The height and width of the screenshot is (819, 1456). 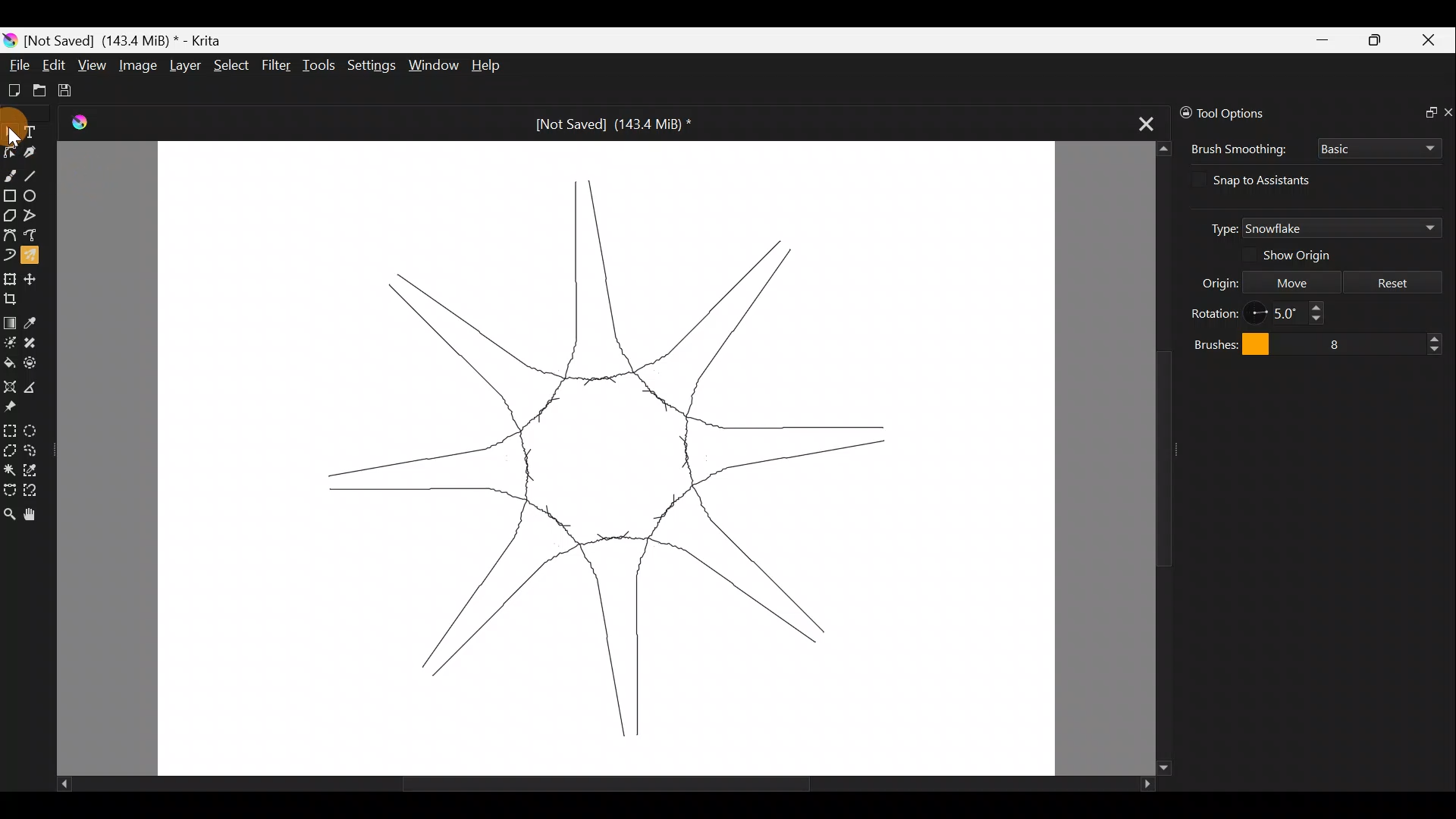 I want to click on Sample a colour from image/current layer, so click(x=36, y=322).